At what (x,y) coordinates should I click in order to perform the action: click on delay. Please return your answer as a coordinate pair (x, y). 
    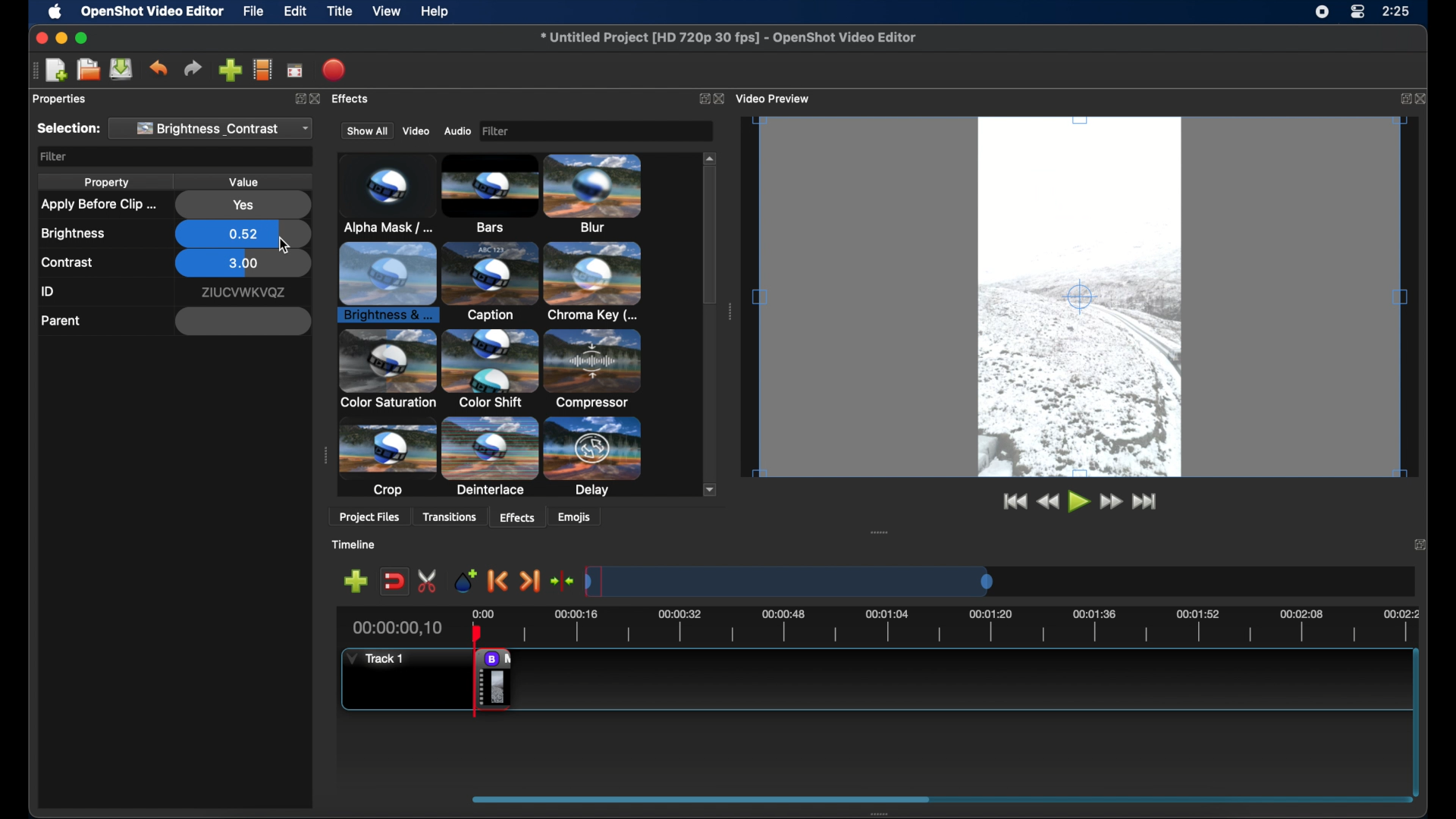
    Looking at the image, I should click on (595, 369).